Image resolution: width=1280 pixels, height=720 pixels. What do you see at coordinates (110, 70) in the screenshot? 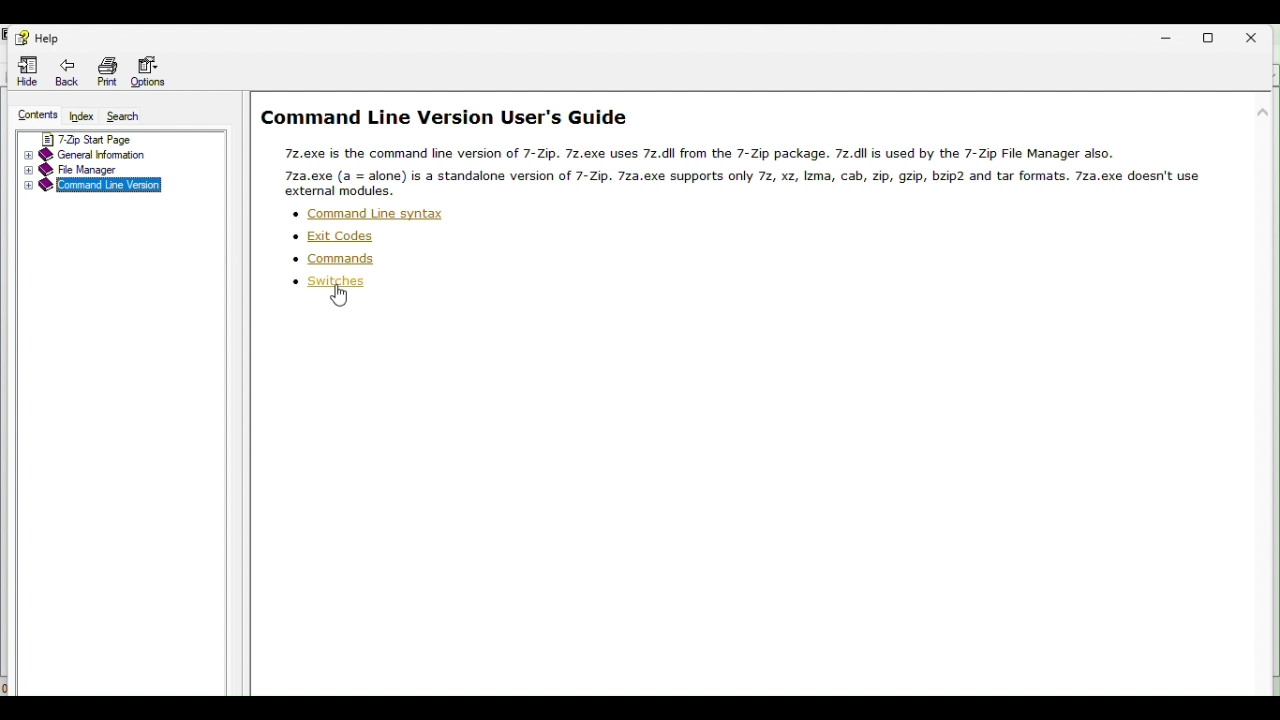
I see `Print ` at bounding box center [110, 70].